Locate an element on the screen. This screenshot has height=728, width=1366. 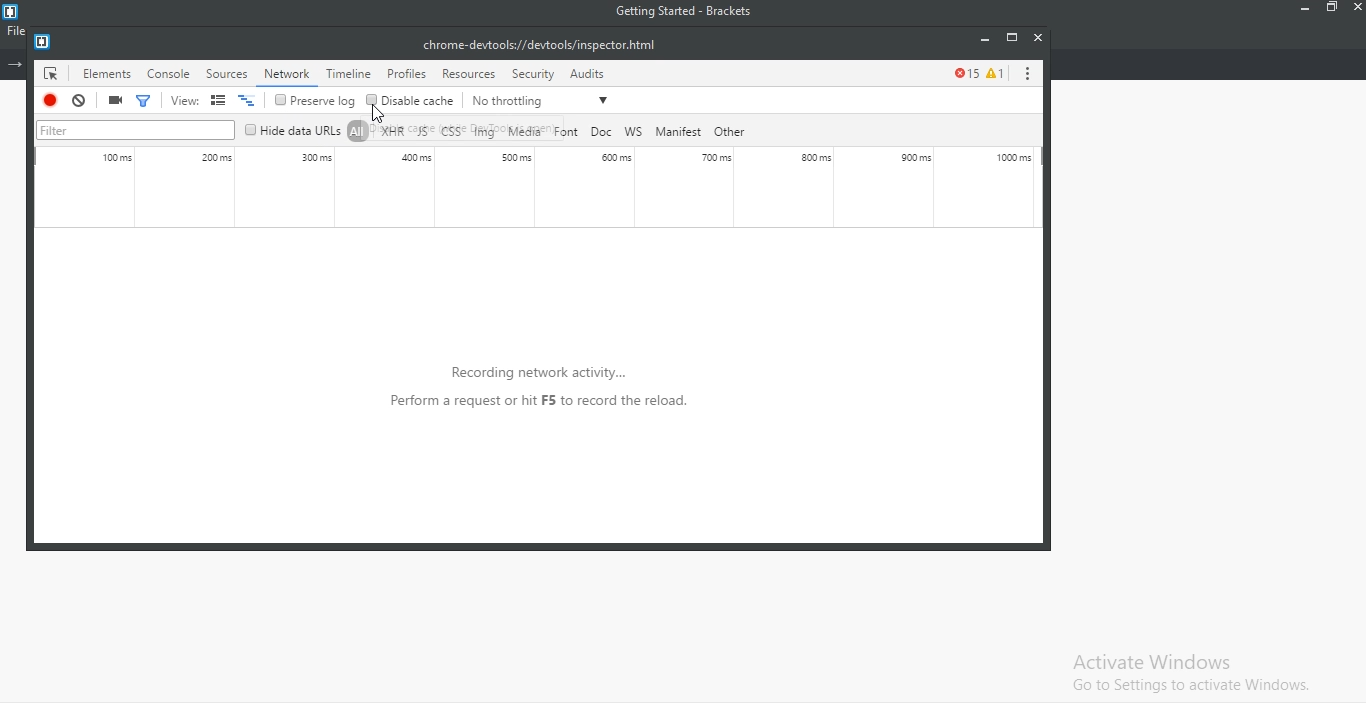
minimise is located at coordinates (1298, 11).